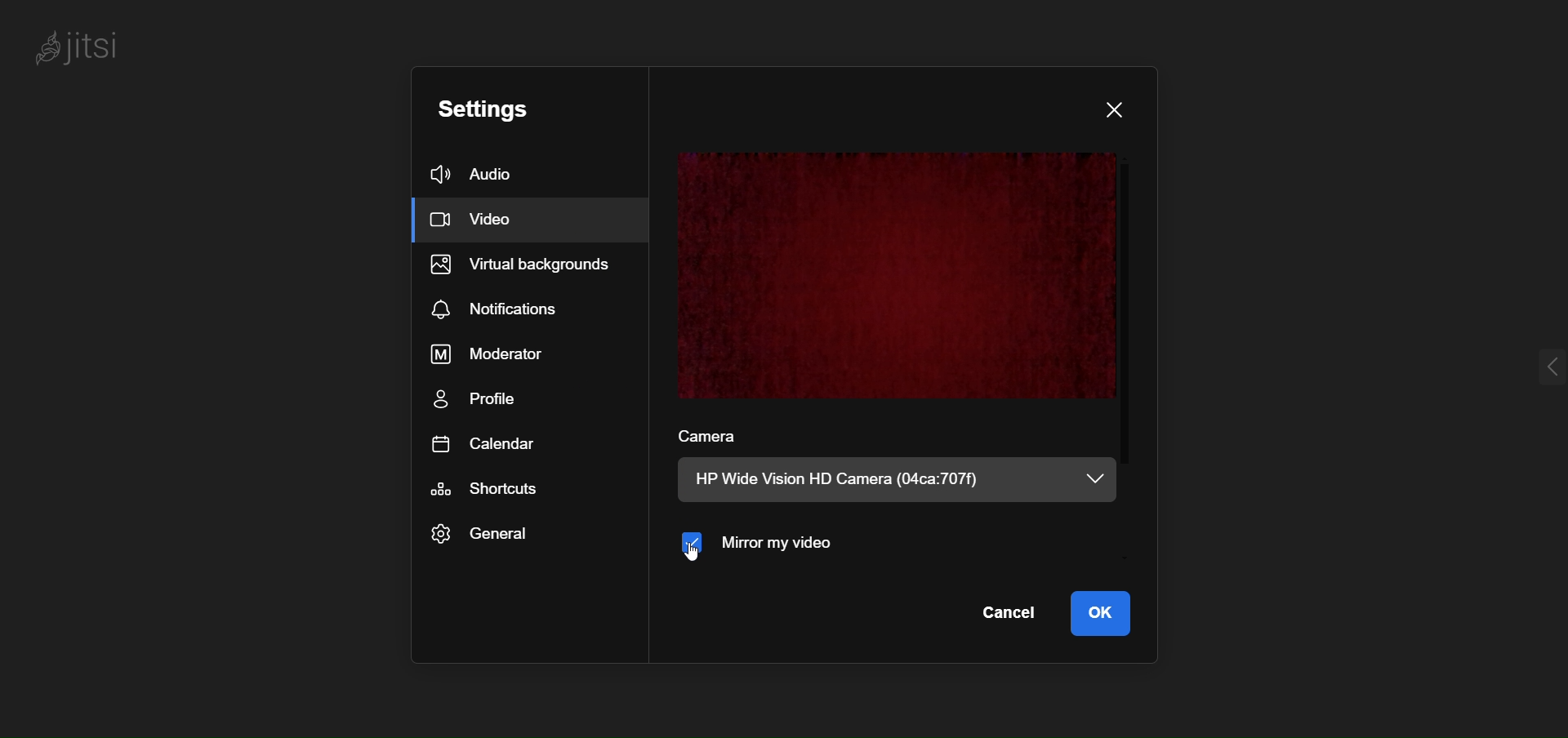  What do you see at coordinates (475, 402) in the screenshot?
I see `profile` at bounding box center [475, 402].